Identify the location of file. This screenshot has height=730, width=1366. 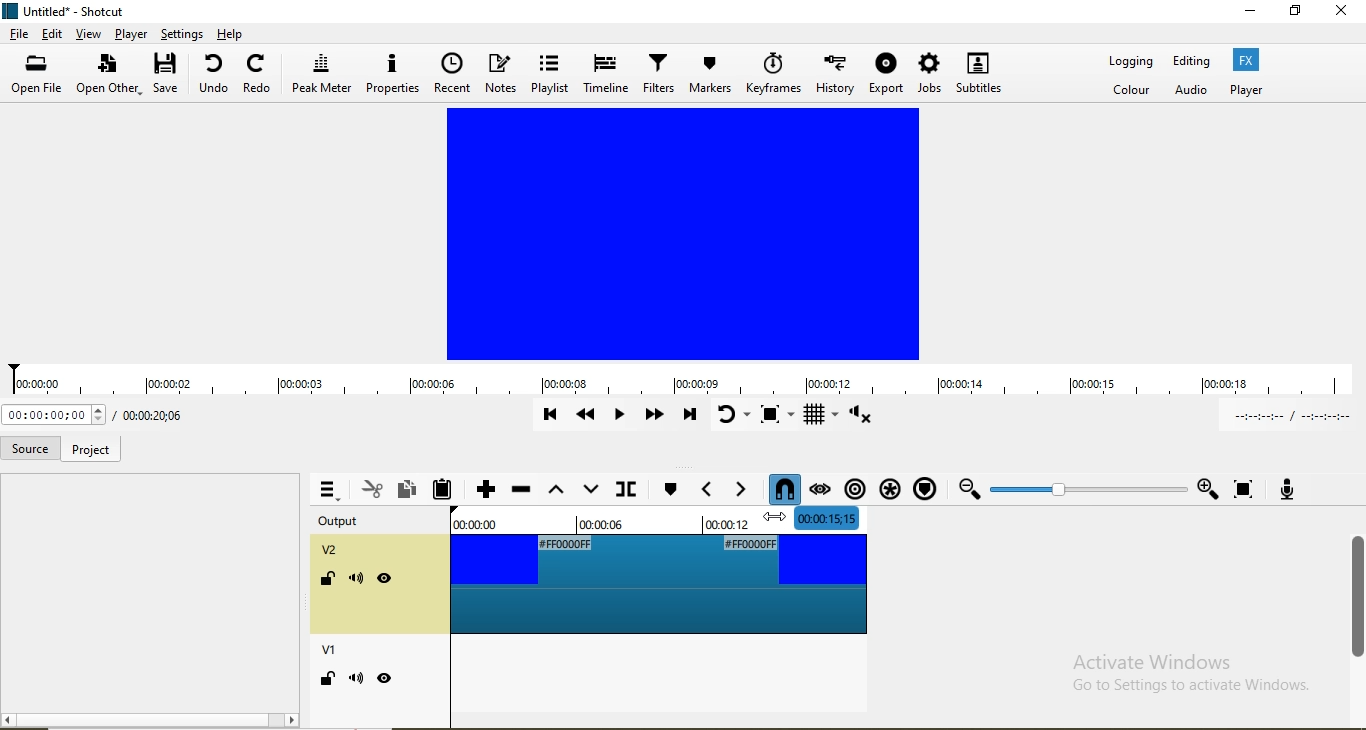
(19, 36).